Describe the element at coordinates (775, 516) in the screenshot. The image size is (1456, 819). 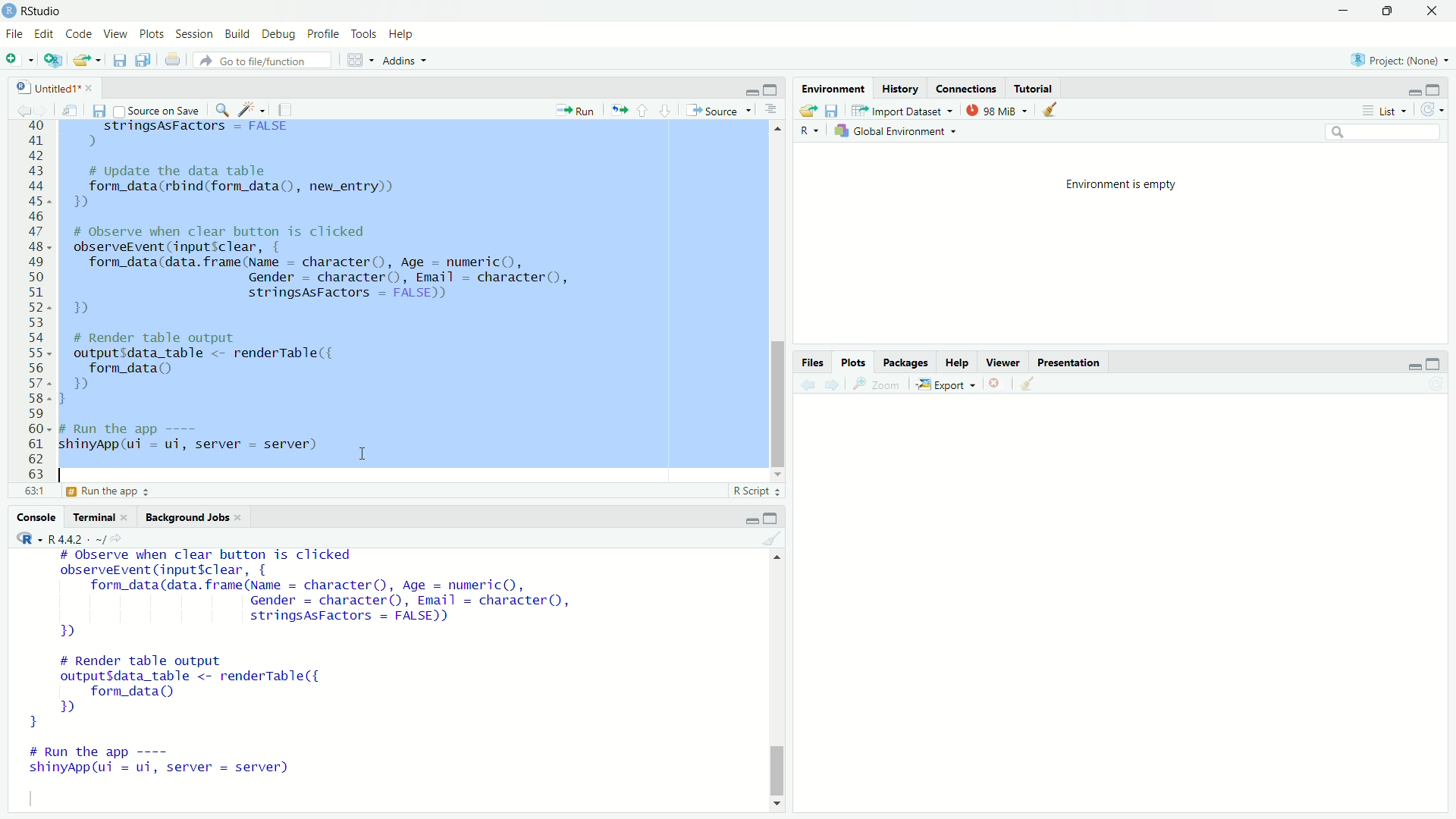
I see `maximize` at that location.